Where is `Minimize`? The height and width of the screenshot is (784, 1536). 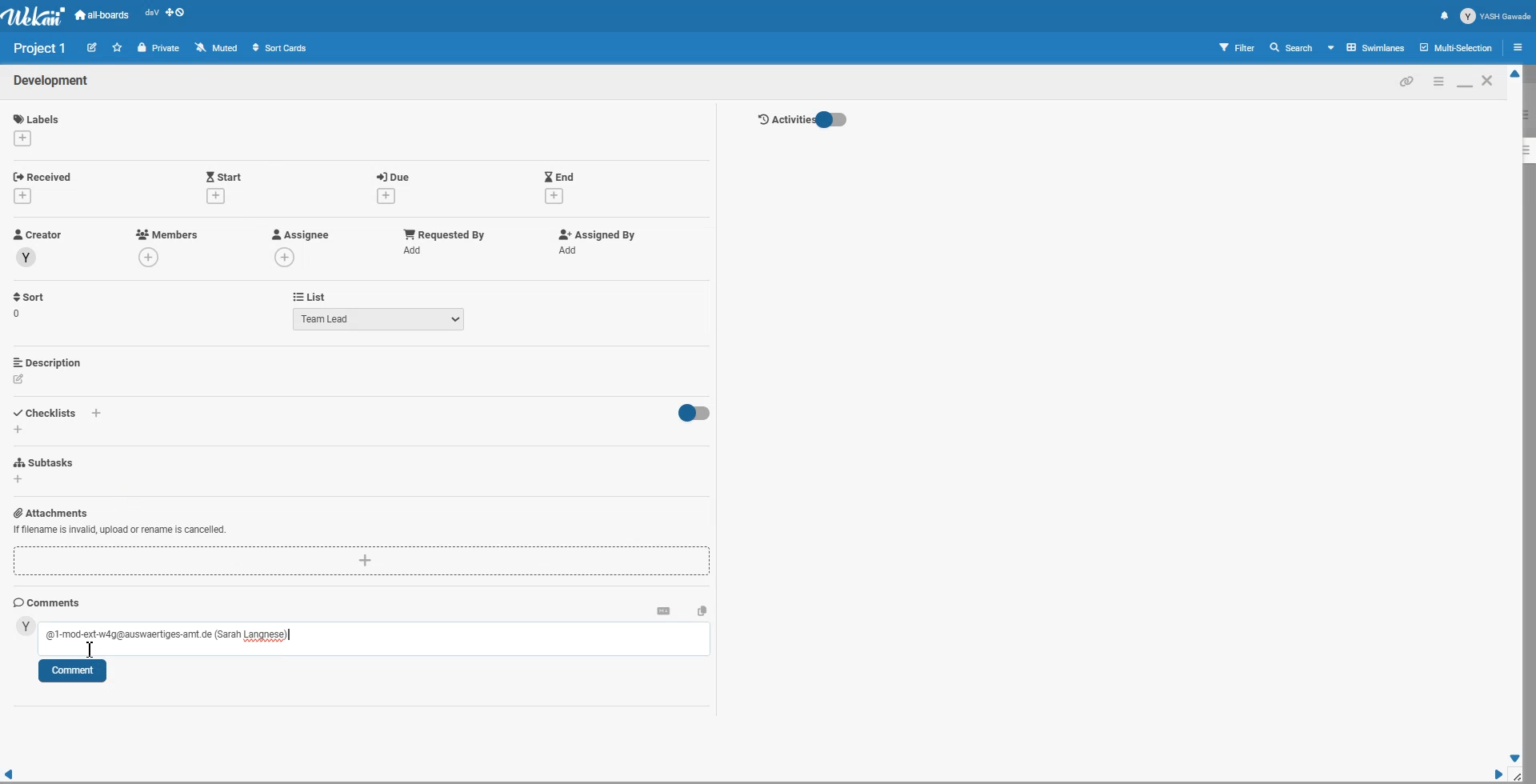
Minimize is located at coordinates (1438, 81).